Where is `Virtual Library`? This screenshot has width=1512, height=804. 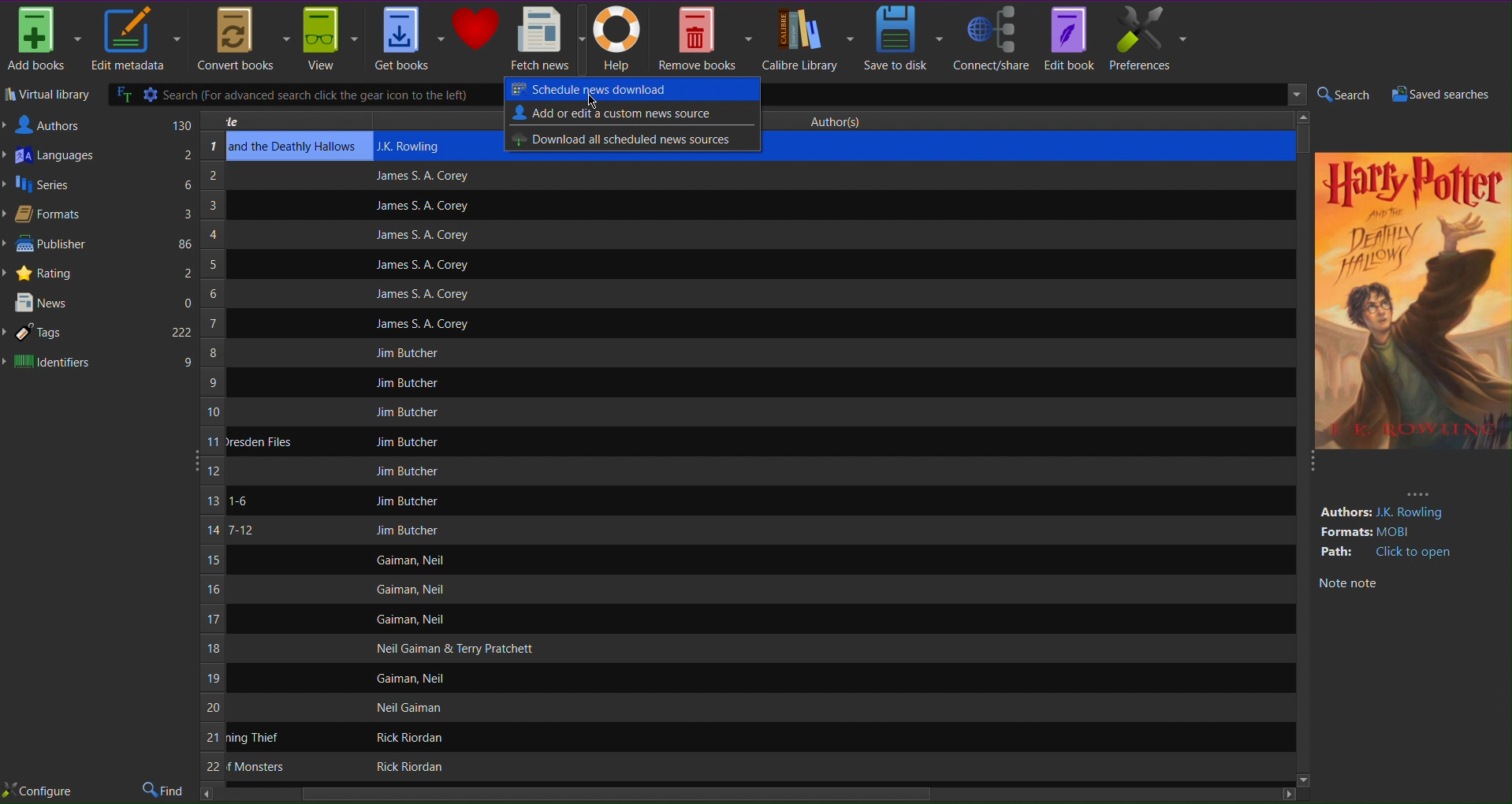 Virtual Library is located at coordinates (47, 96).